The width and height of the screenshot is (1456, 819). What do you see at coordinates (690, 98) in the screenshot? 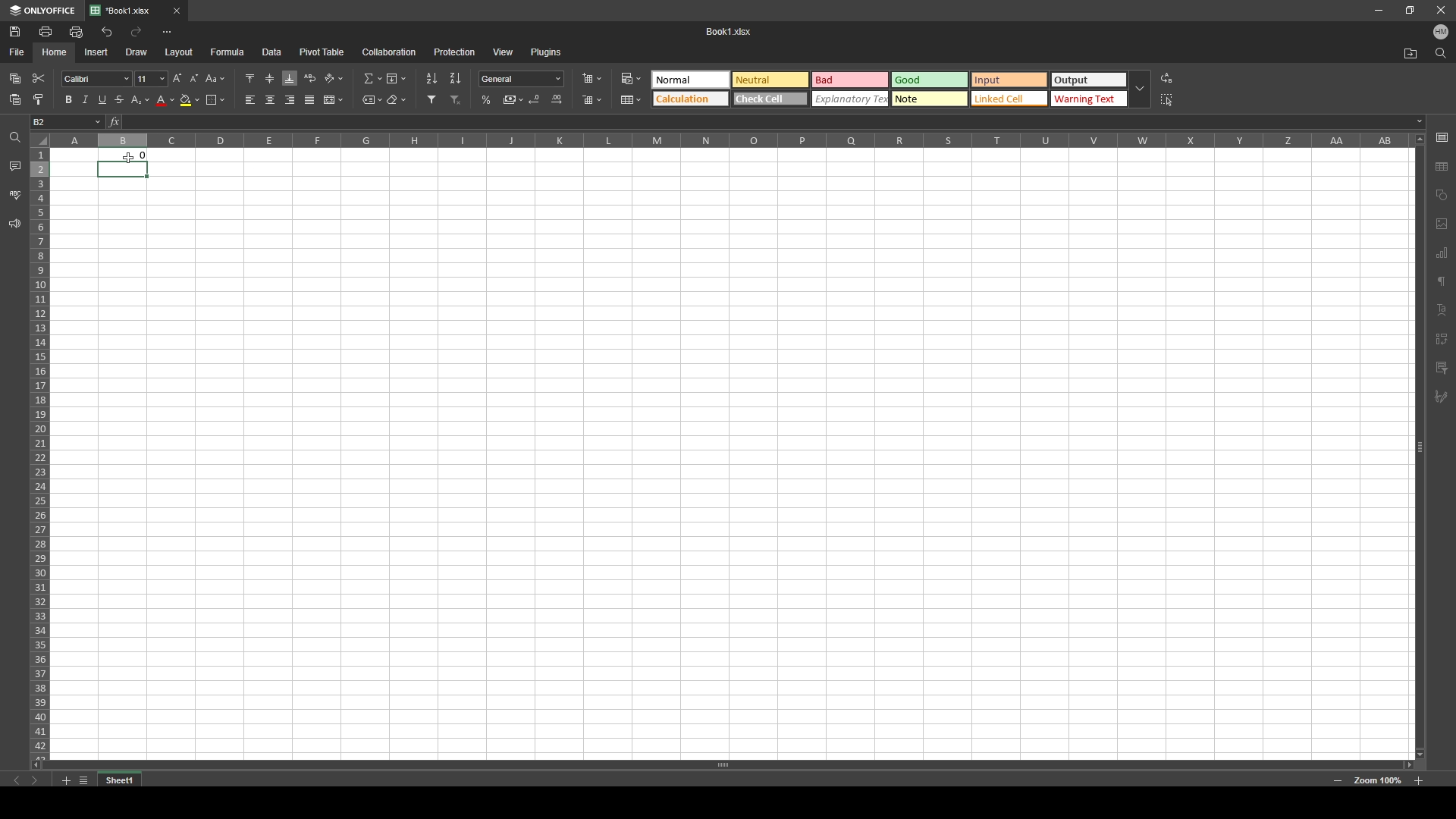
I see `Calculation` at bounding box center [690, 98].